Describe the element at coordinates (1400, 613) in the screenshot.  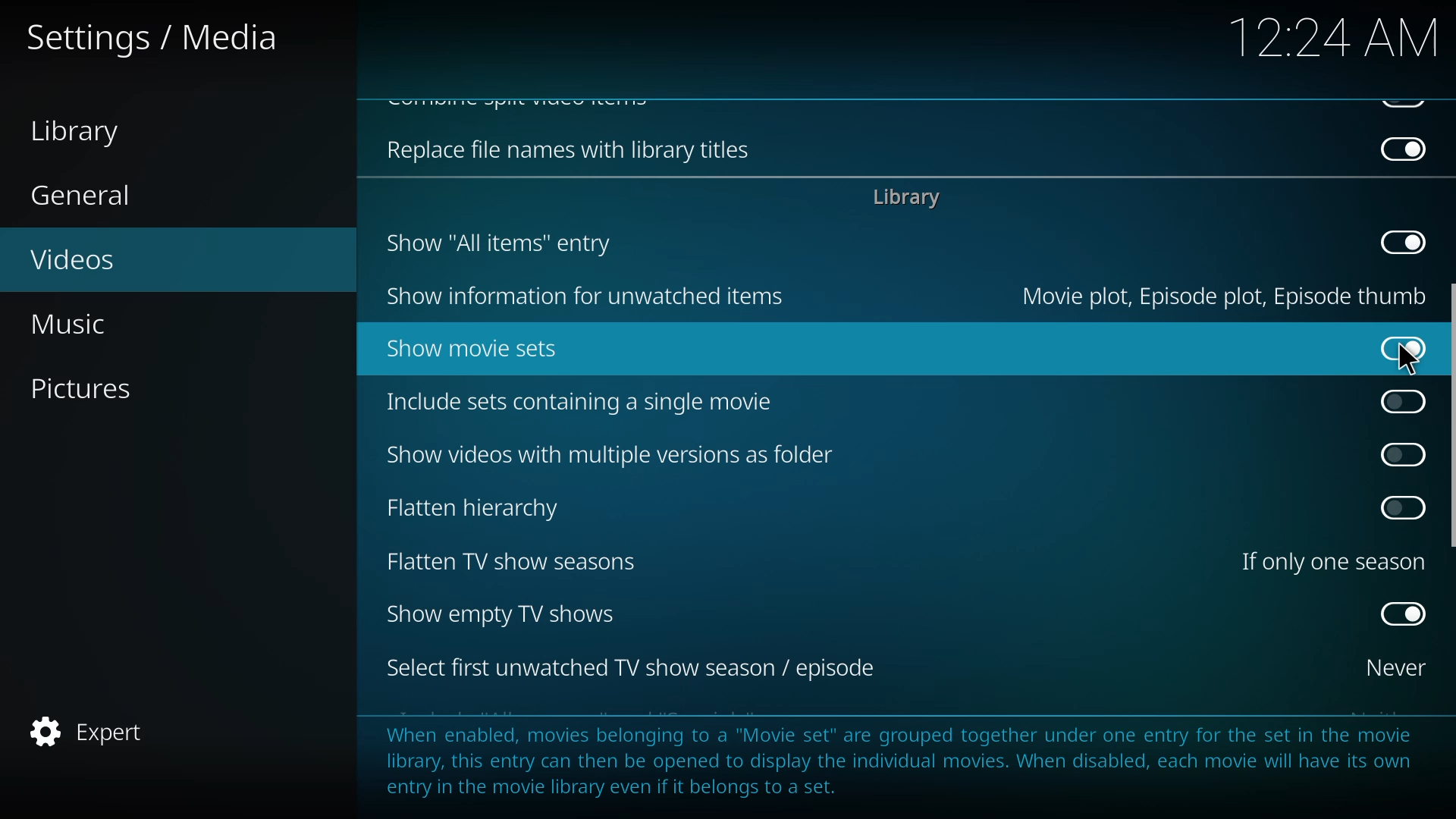
I see `enabled` at that location.